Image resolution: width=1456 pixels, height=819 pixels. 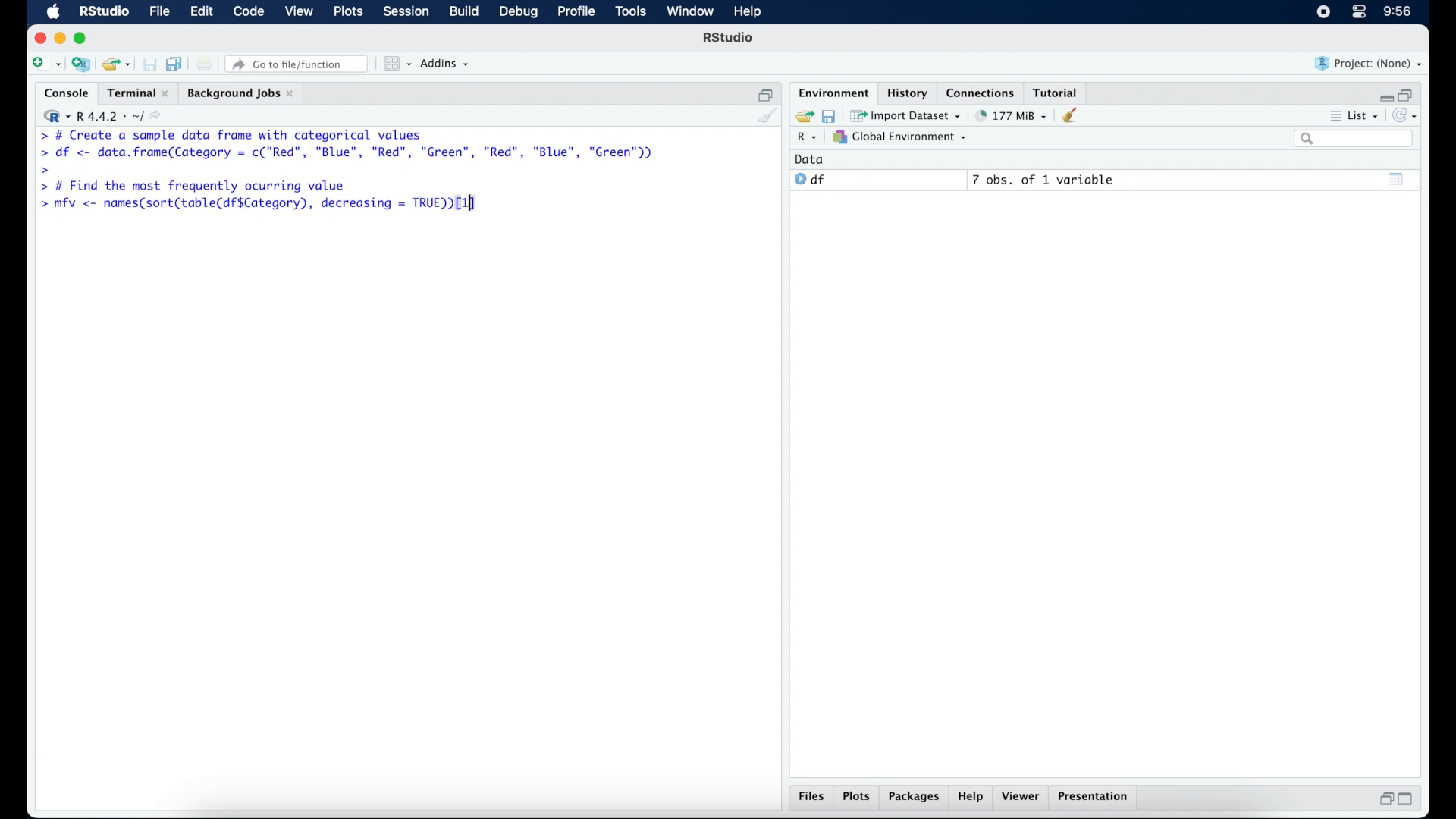 I want to click on project (none), so click(x=1369, y=63).